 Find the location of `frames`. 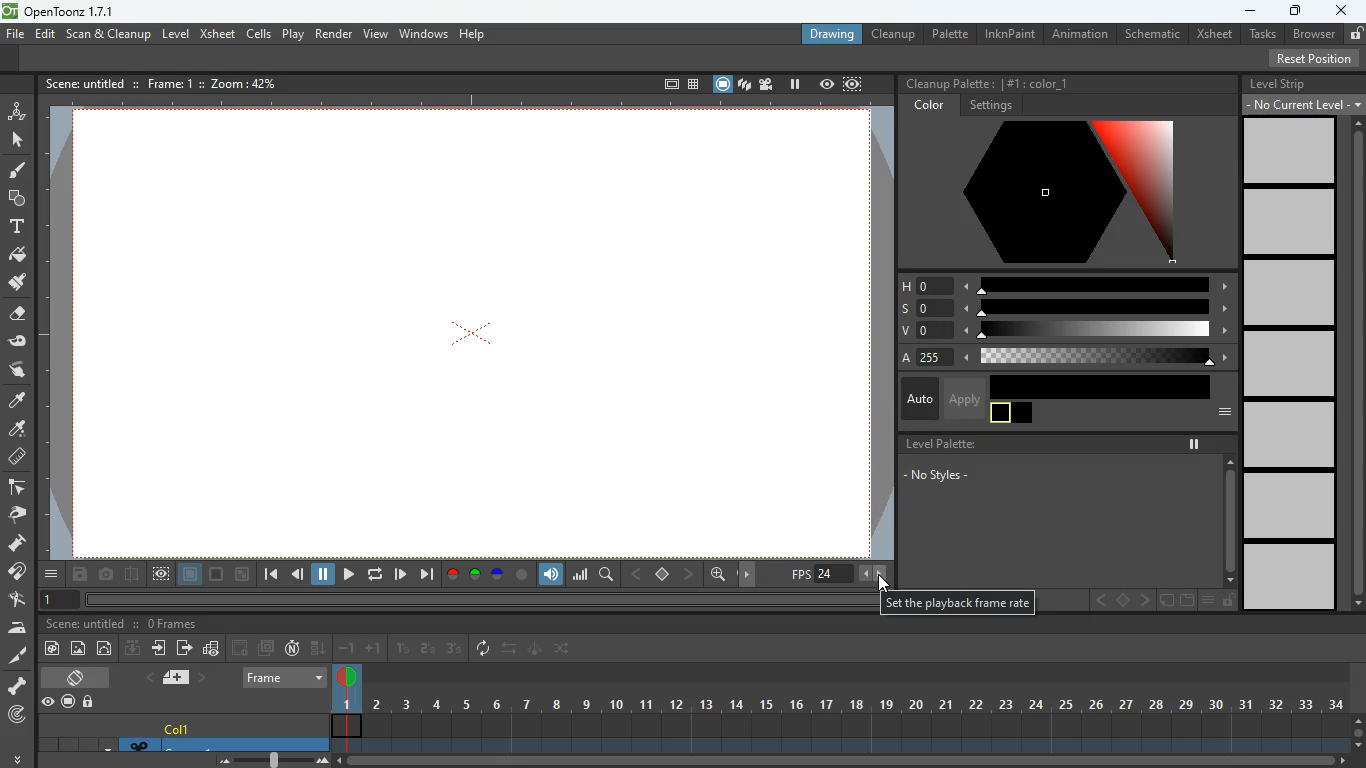

frames is located at coordinates (839, 708).